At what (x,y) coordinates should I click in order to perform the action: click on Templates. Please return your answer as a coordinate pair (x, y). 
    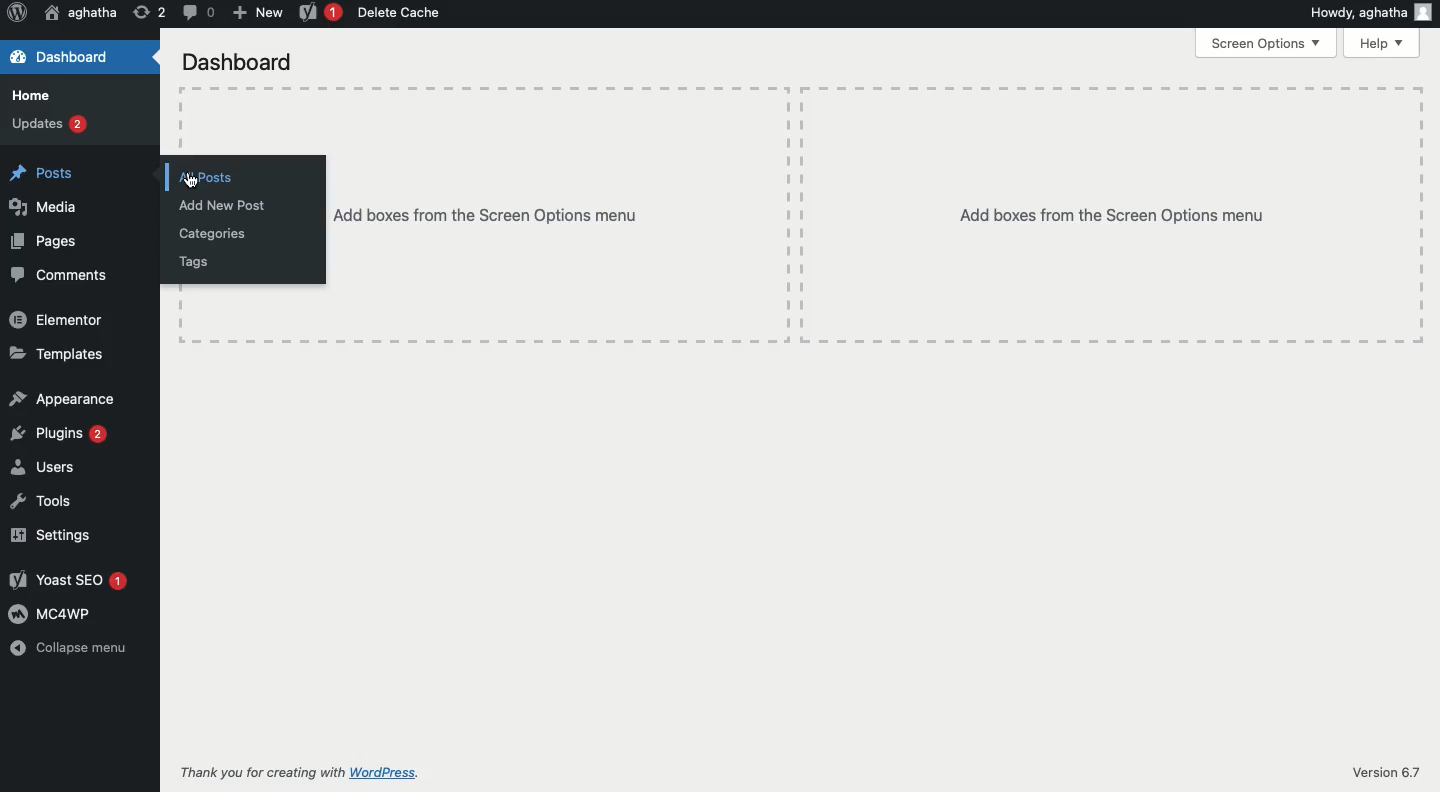
    Looking at the image, I should click on (61, 353).